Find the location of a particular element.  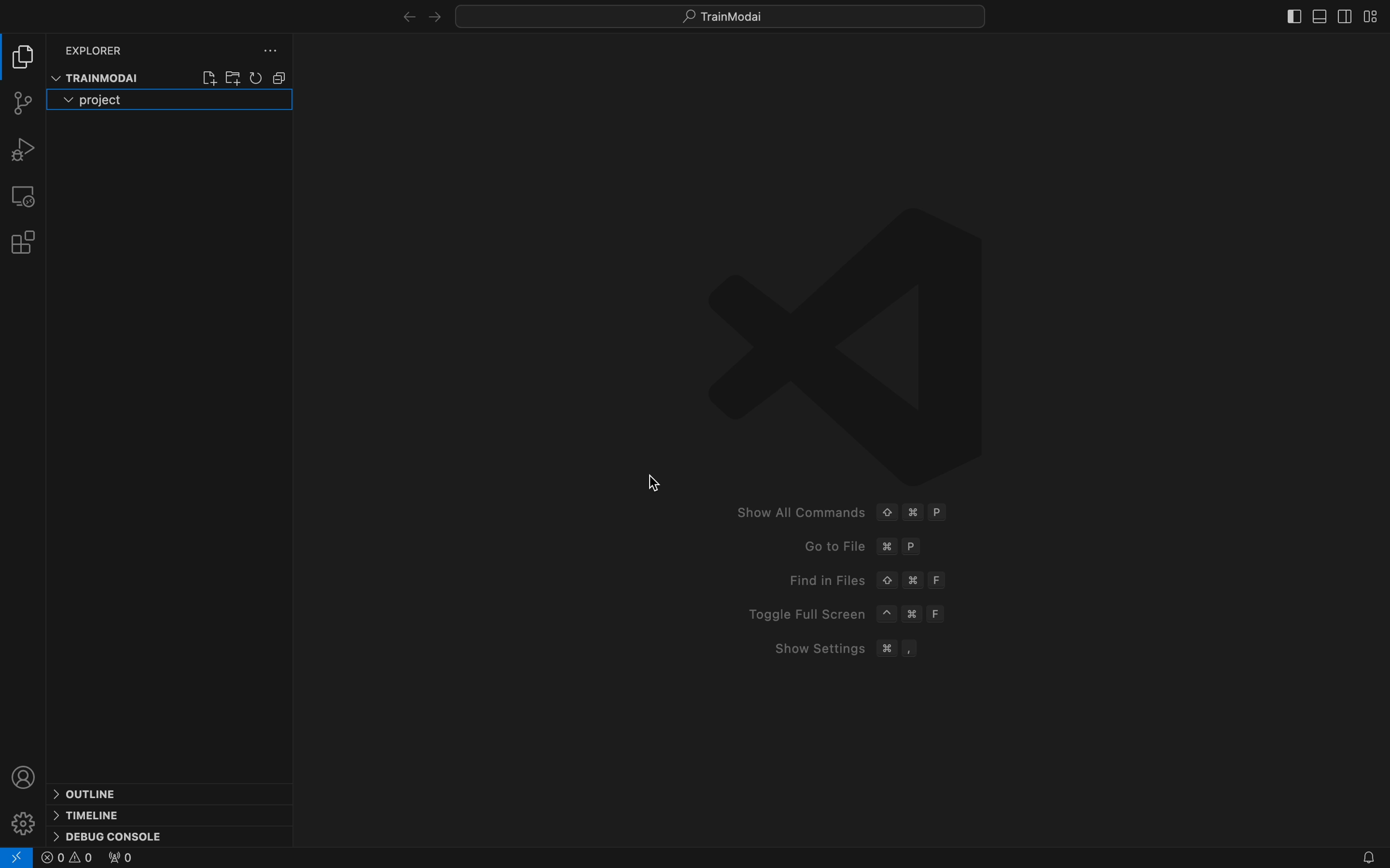

cursor is located at coordinates (655, 490).